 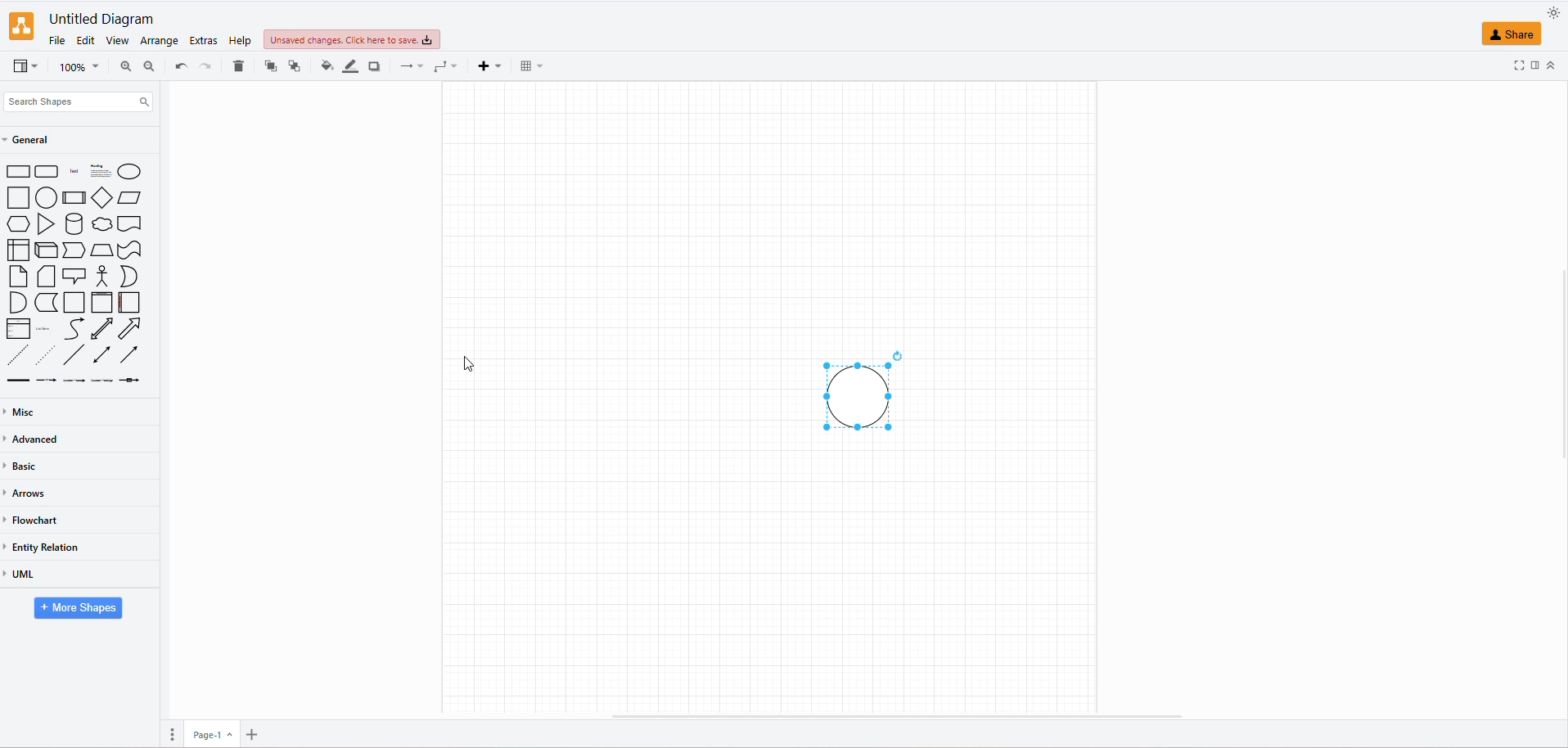 I want to click on LIST ITEM, so click(x=44, y=330).